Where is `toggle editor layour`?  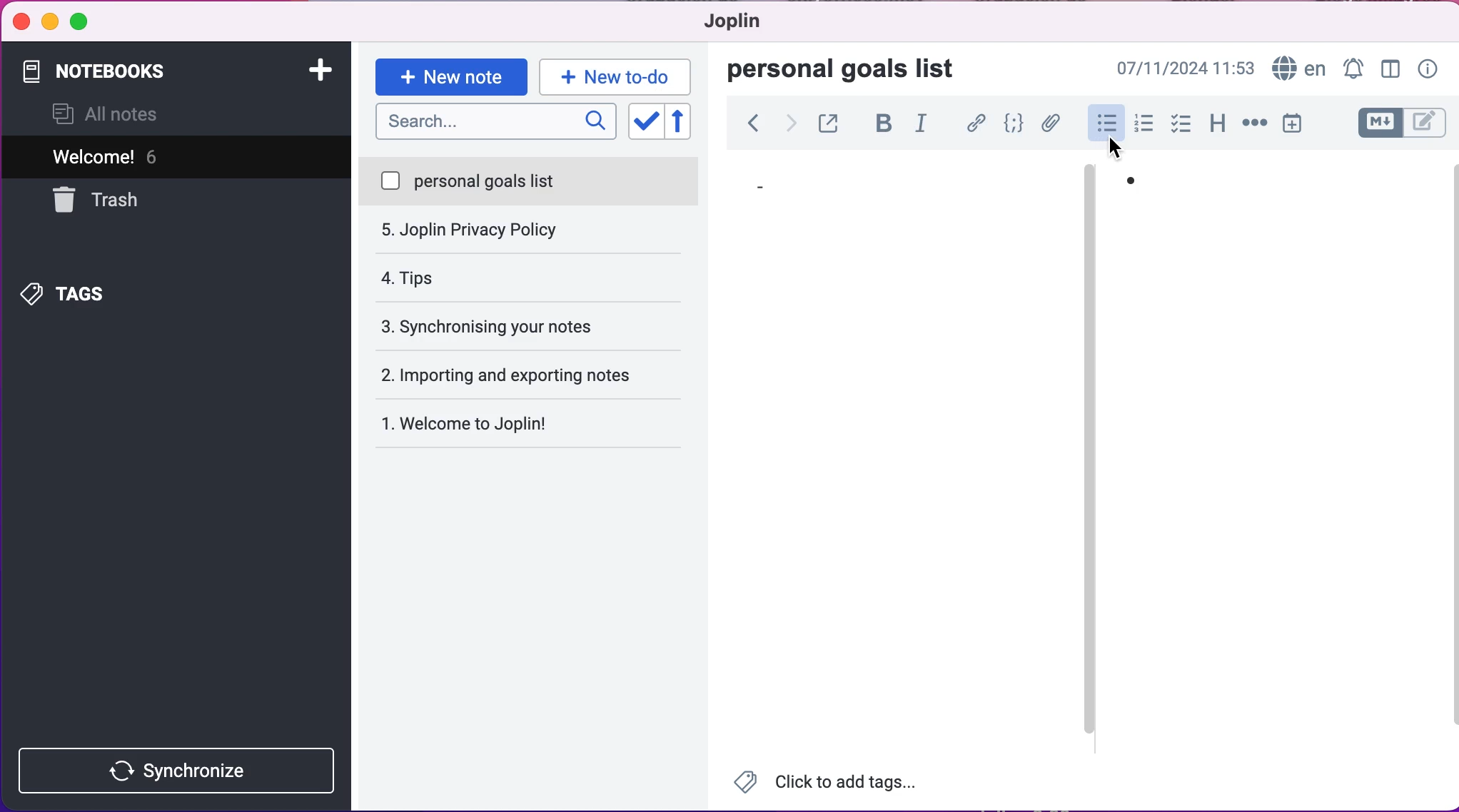 toggle editor layour is located at coordinates (1389, 66).